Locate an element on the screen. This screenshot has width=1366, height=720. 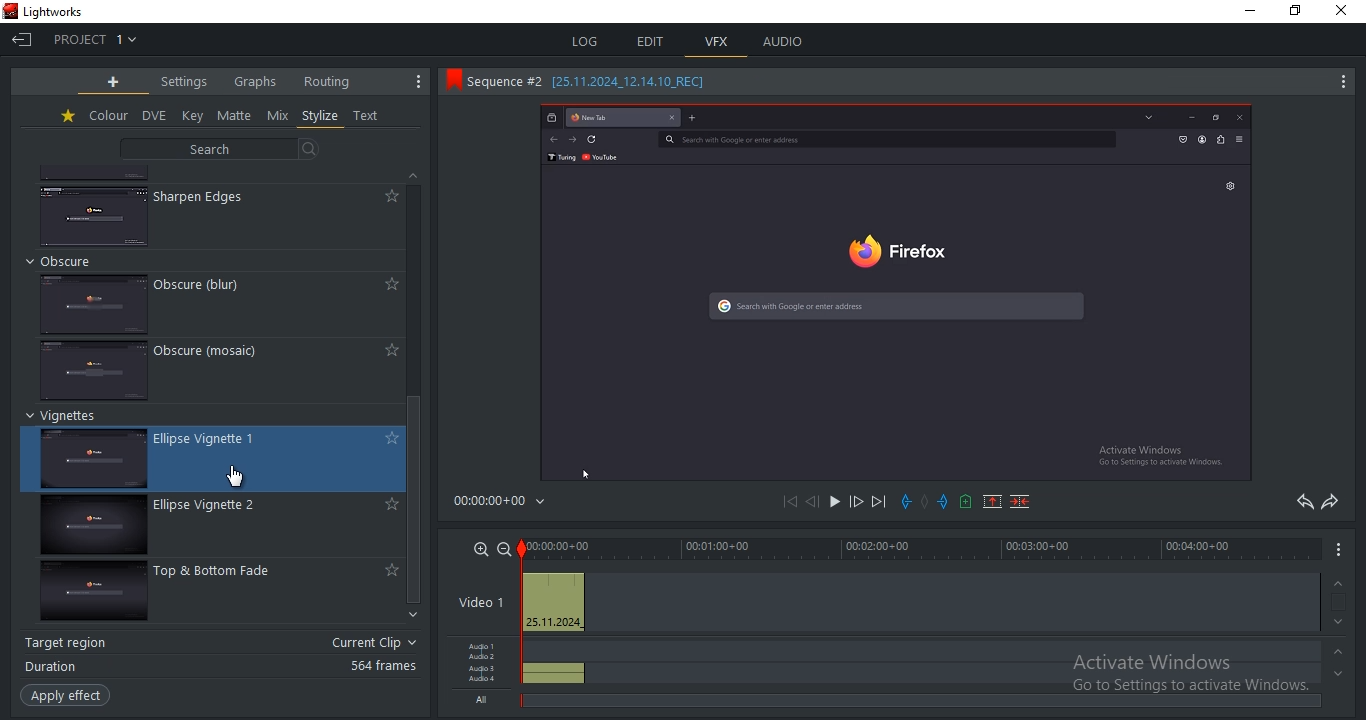
text is located at coordinates (369, 117).